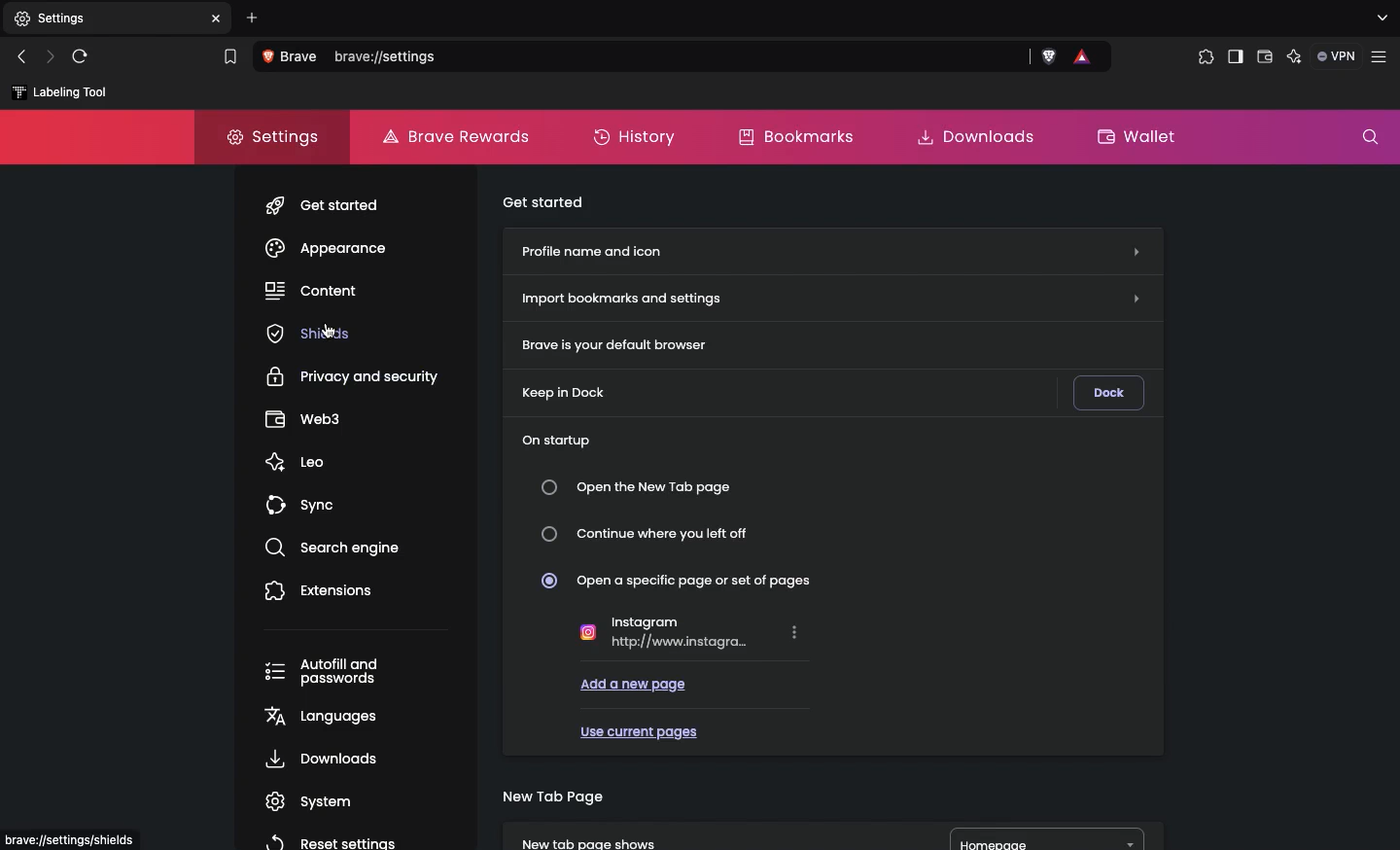 Image resolution: width=1400 pixels, height=850 pixels. What do you see at coordinates (251, 17) in the screenshot?
I see `Add new tab` at bounding box center [251, 17].